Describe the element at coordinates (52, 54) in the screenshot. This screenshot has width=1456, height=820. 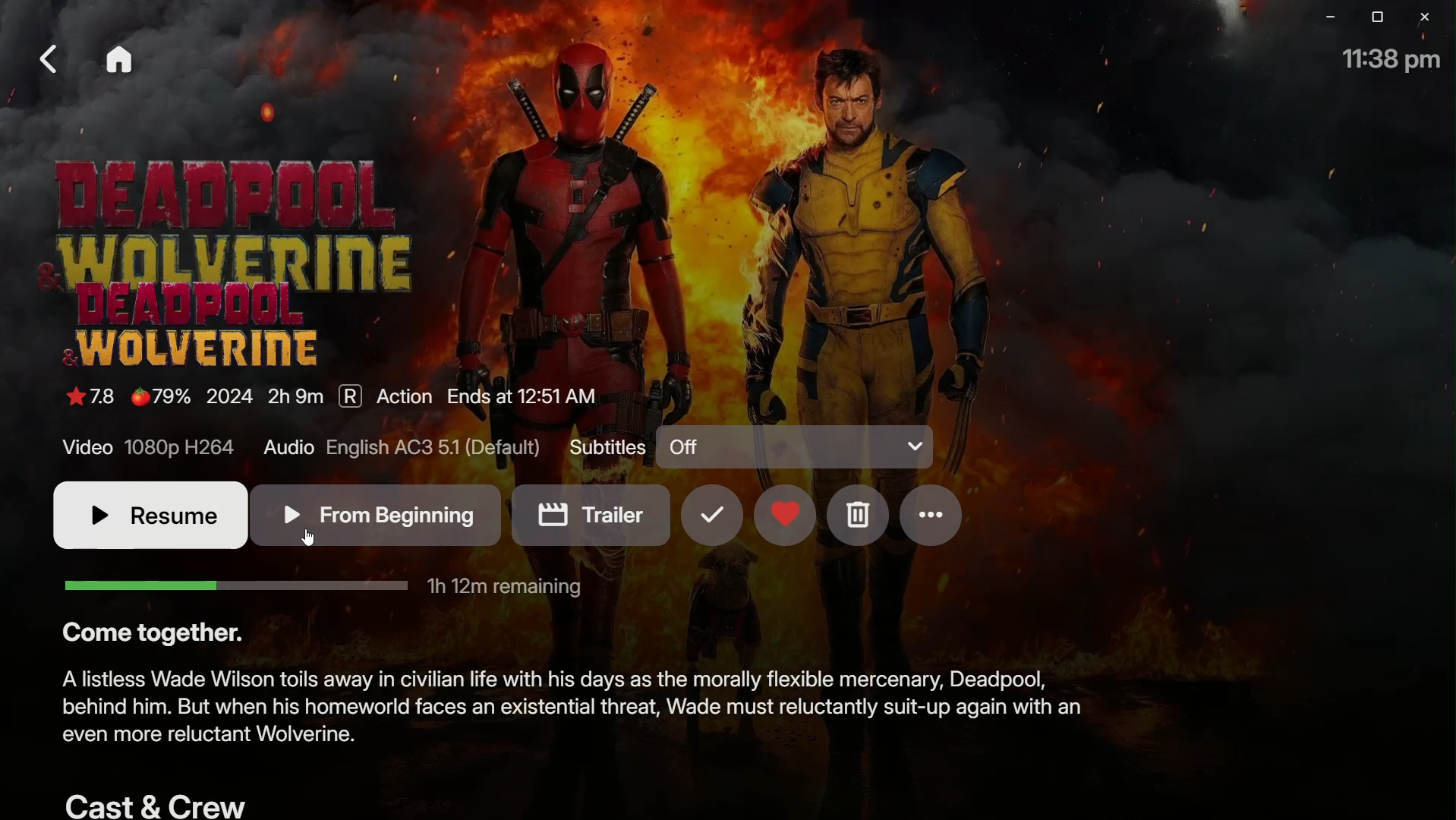
I see `Back` at that location.